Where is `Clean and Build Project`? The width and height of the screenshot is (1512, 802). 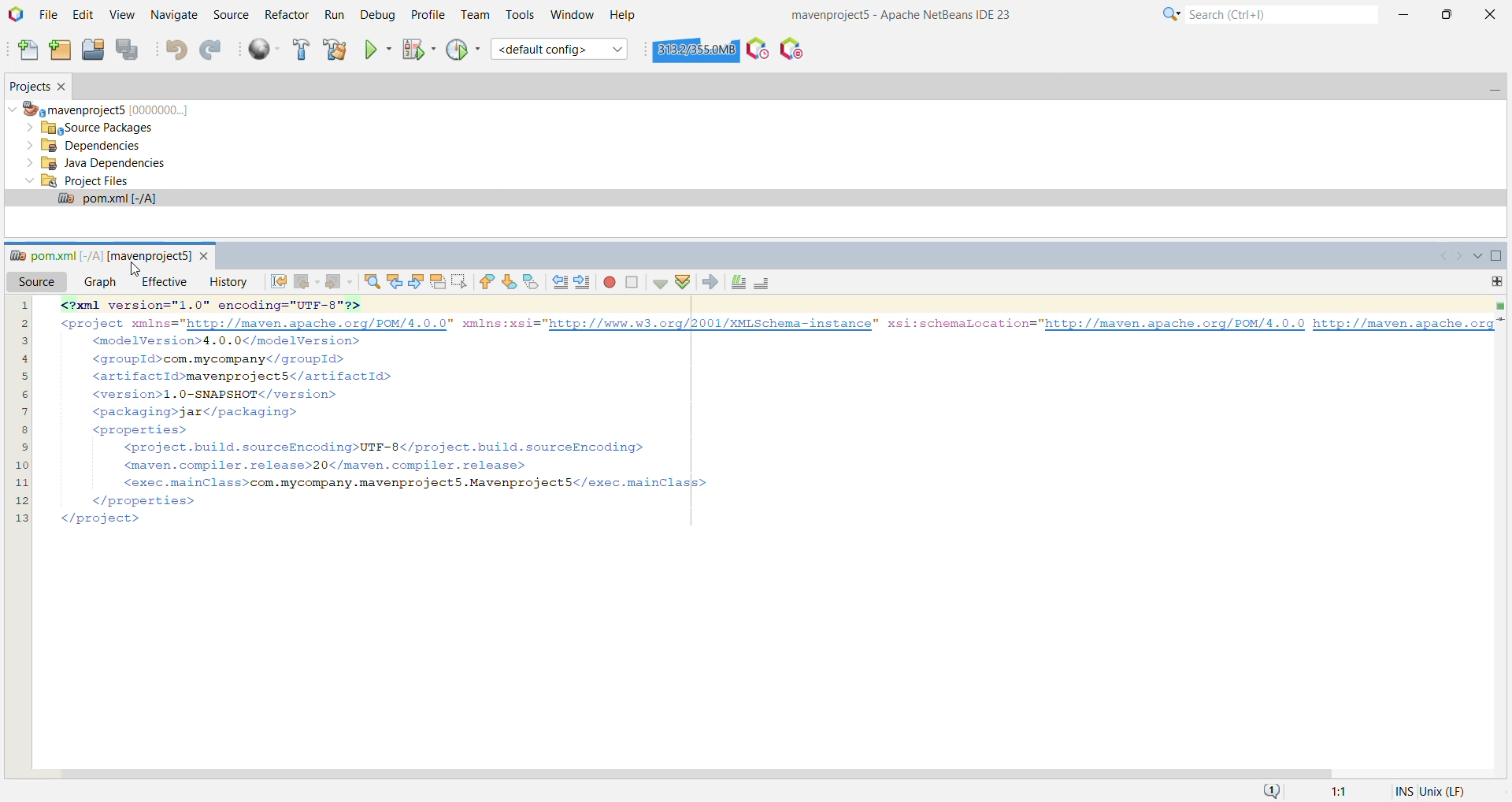
Clean and Build Project is located at coordinates (335, 50).